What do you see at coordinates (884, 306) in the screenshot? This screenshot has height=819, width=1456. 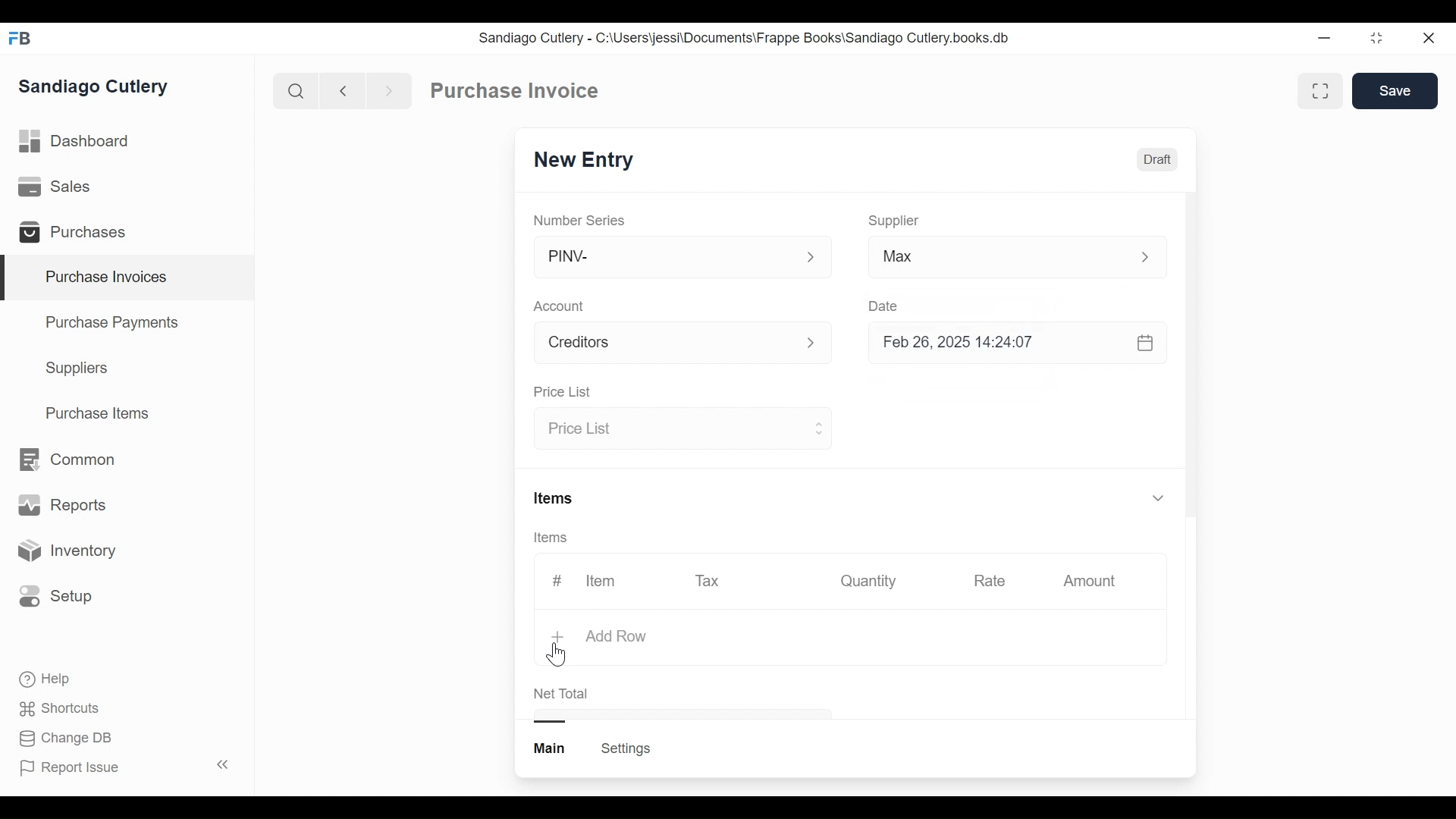 I see `Date` at bounding box center [884, 306].